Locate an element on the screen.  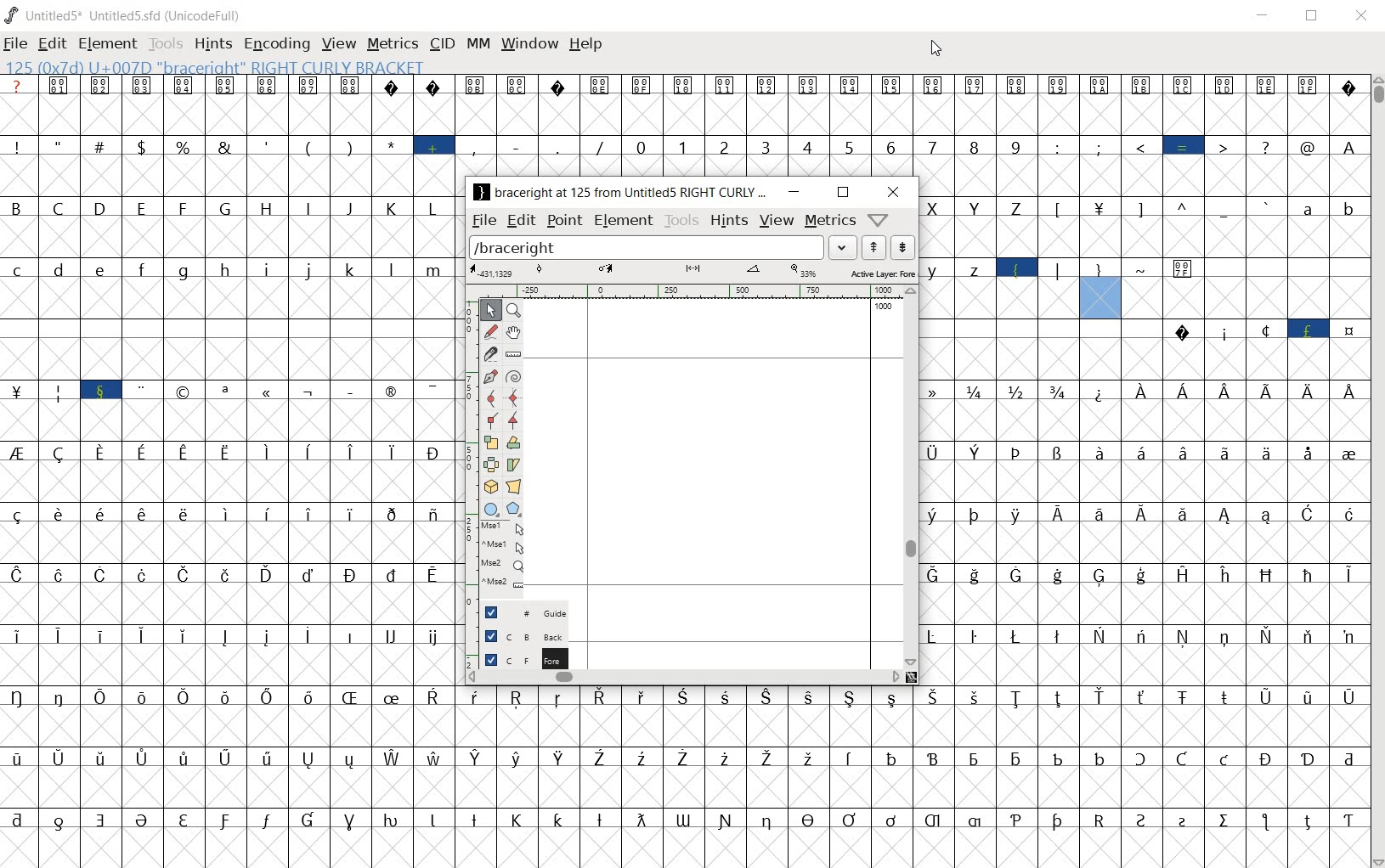
glyph characters is located at coordinates (227, 459).